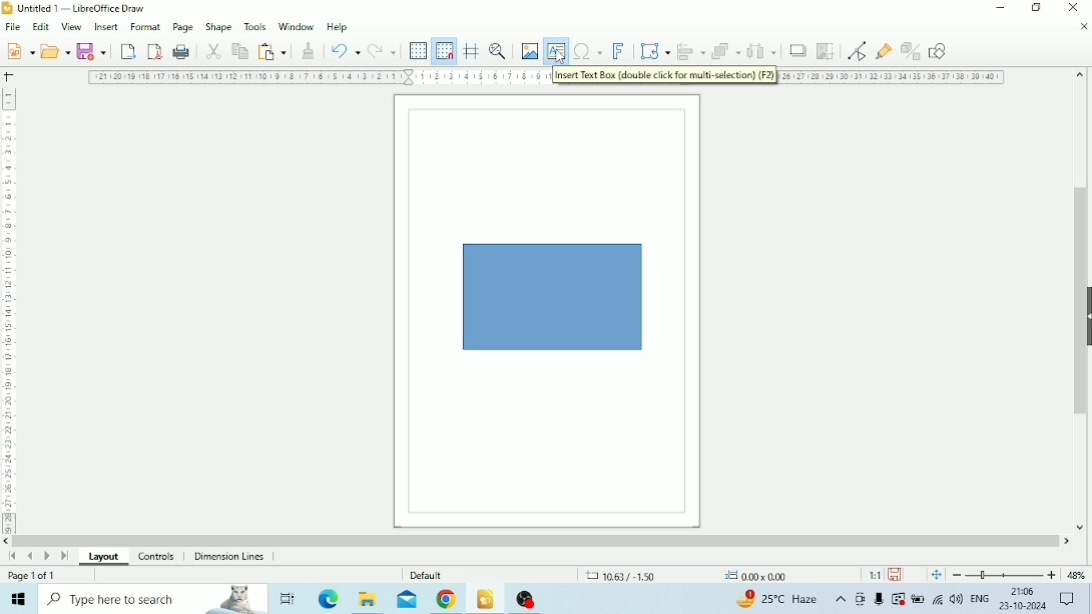 The width and height of the screenshot is (1092, 614). I want to click on Zoom & Pan, so click(498, 52).